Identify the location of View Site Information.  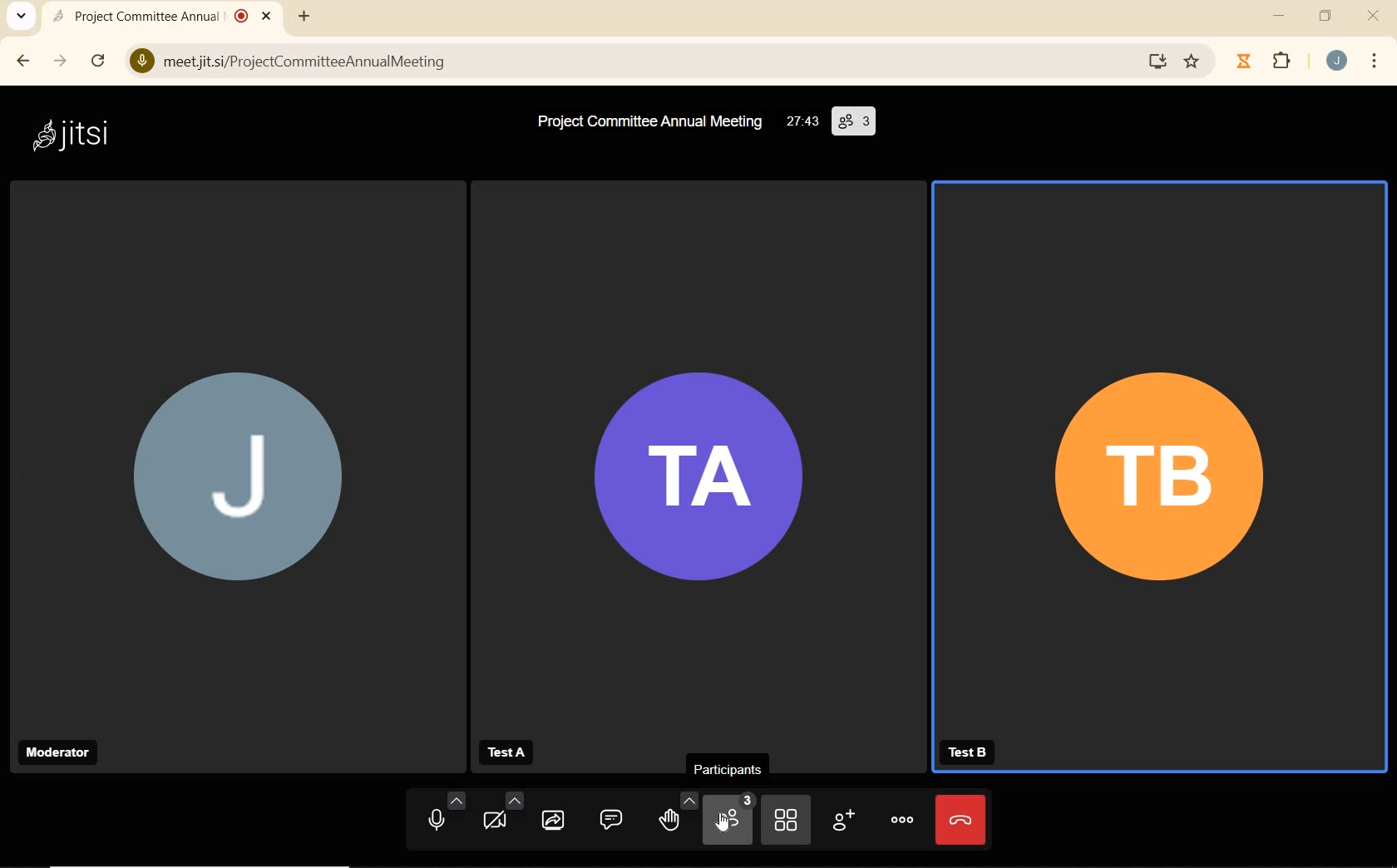
(138, 62).